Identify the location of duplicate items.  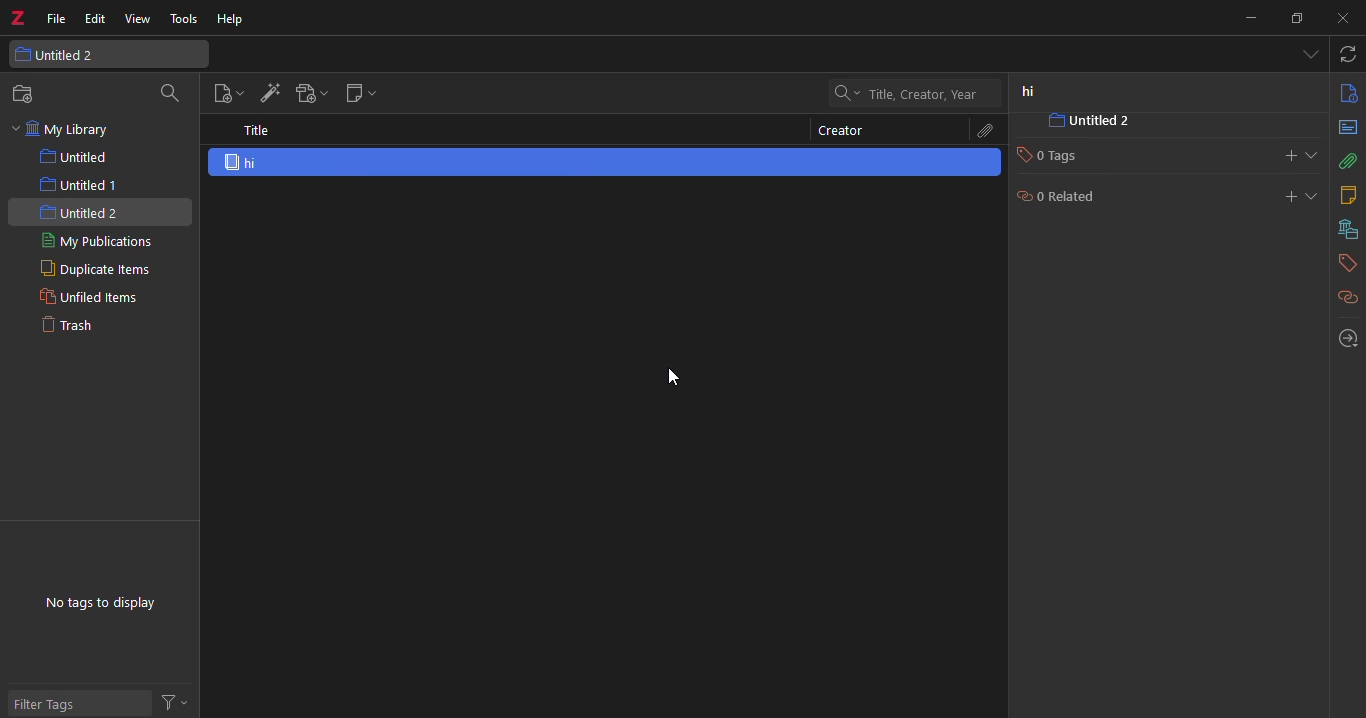
(91, 269).